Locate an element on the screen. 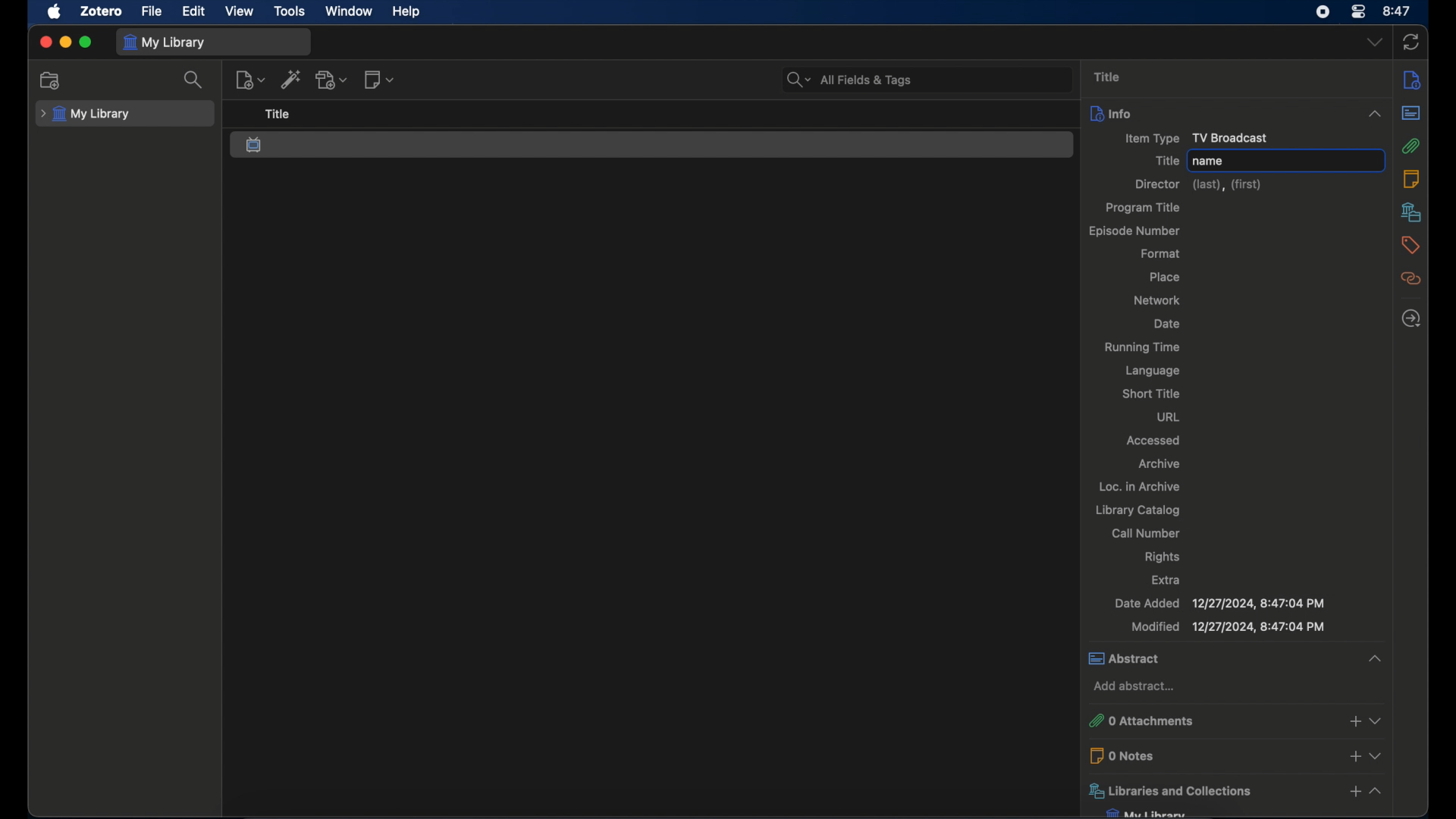  file is located at coordinates (152, 12).